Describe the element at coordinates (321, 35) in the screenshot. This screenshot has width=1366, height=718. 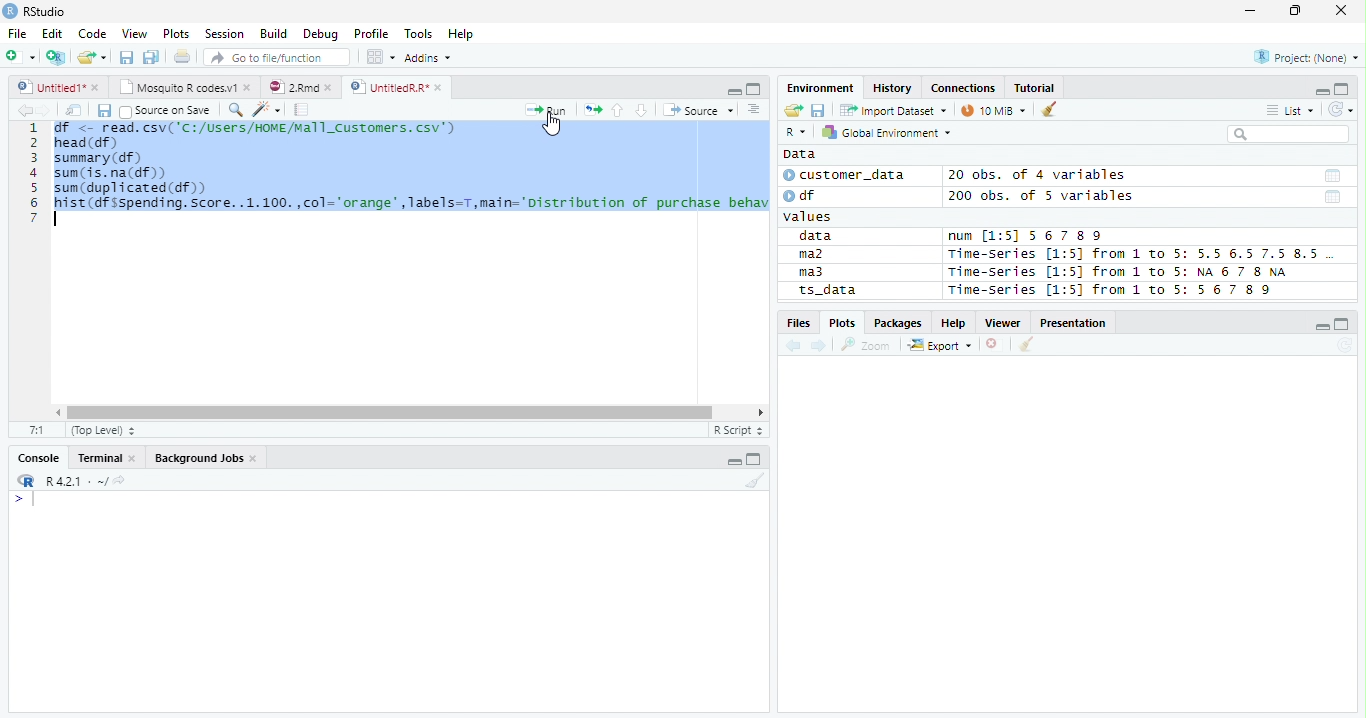
I see `Debug` at that location.